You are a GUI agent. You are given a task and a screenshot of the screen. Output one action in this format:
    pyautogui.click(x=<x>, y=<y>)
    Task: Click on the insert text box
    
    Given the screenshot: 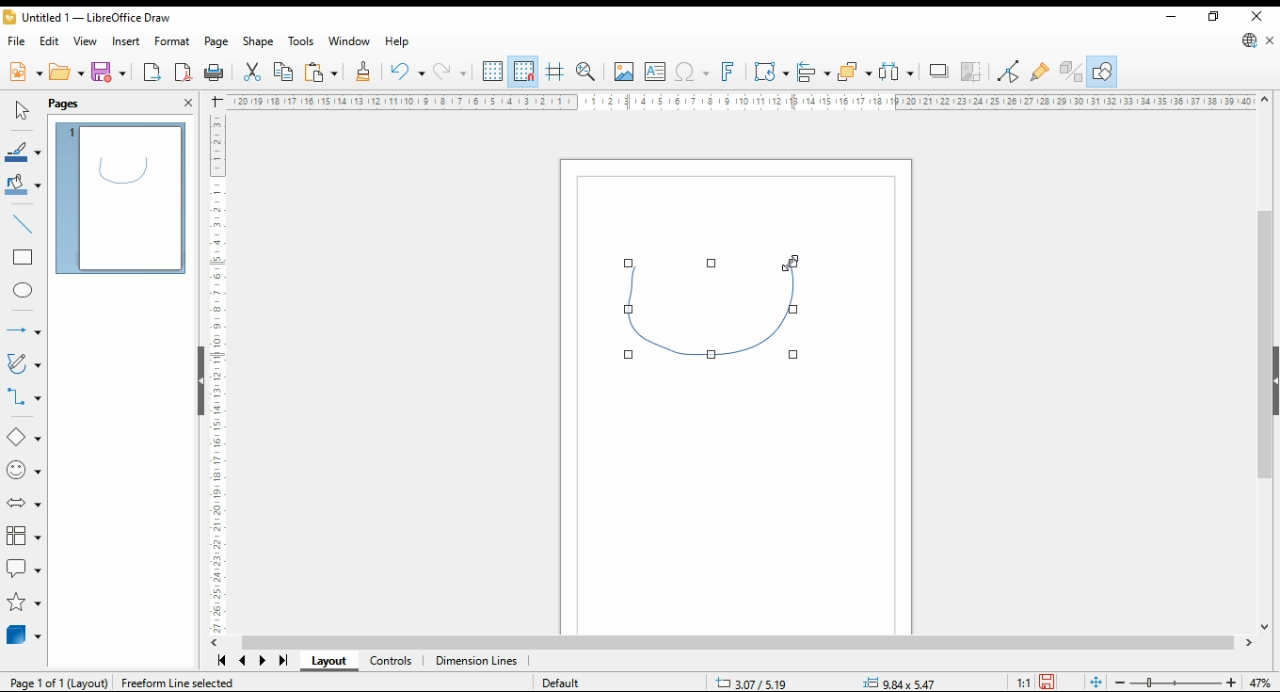 What is the action you would take?
    pyautogui.click(x=655, y=73)
    